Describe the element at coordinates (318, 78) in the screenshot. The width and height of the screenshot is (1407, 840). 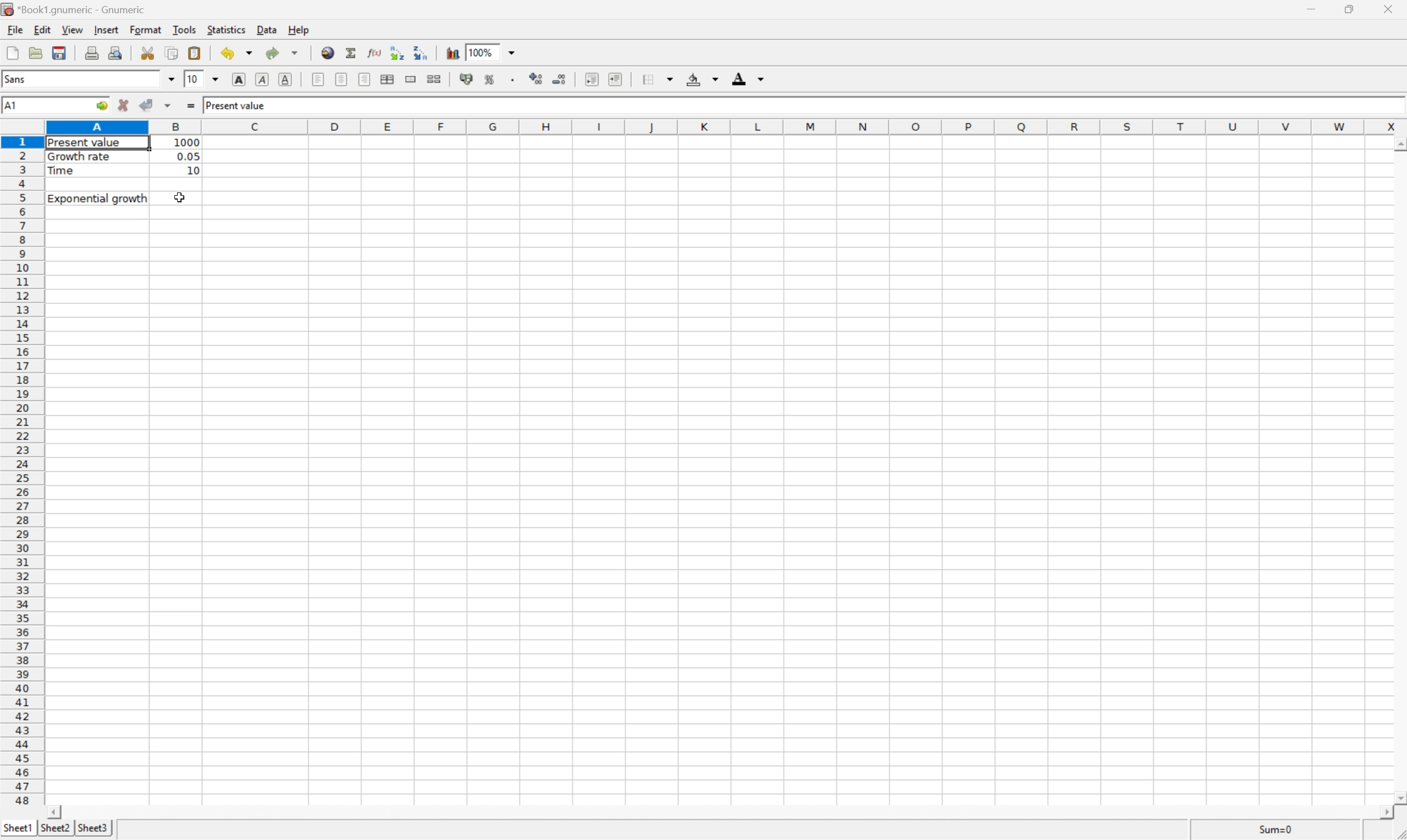
I see `Align Left` at that location.